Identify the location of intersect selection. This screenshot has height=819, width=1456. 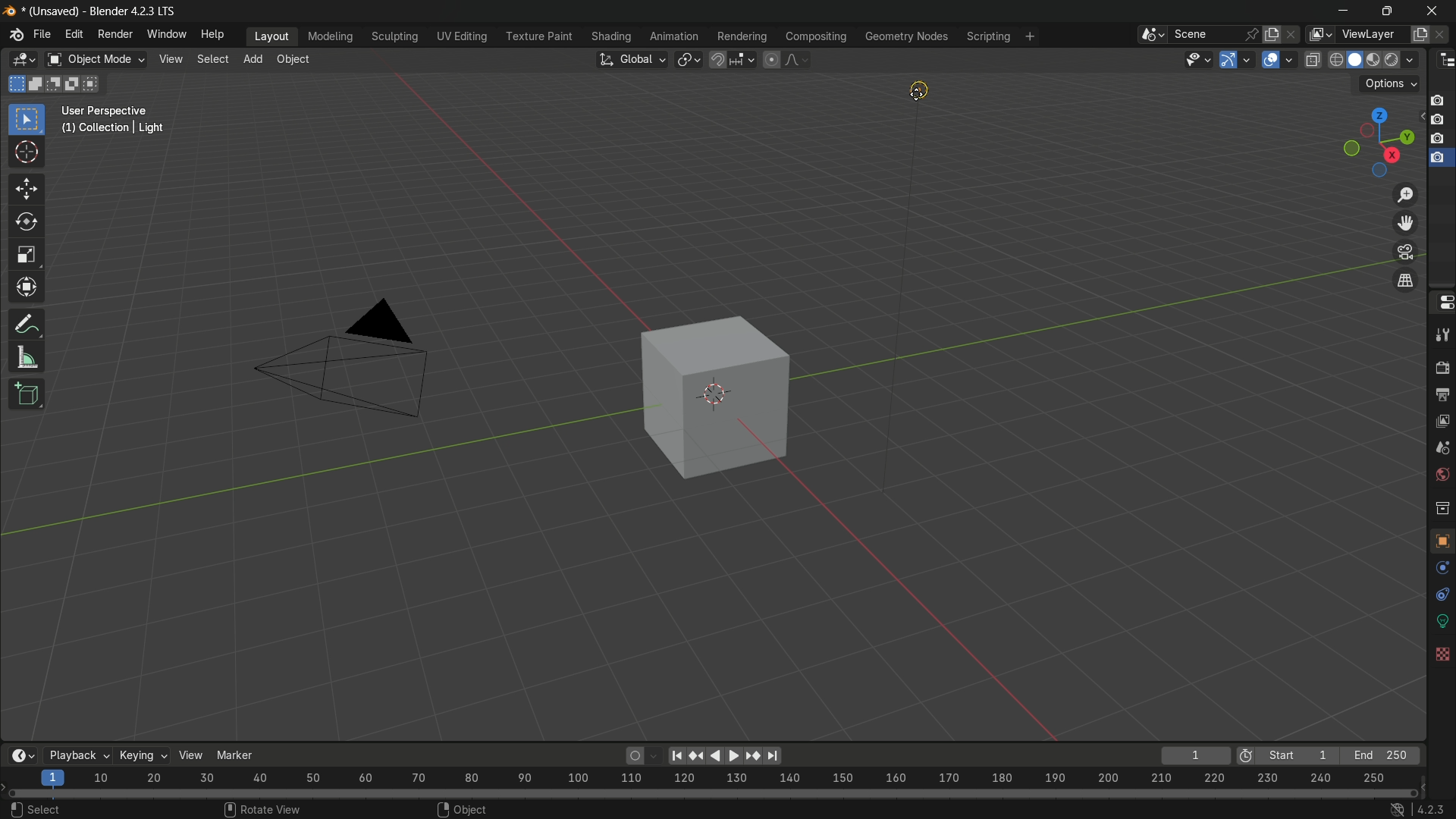
(96, 83).